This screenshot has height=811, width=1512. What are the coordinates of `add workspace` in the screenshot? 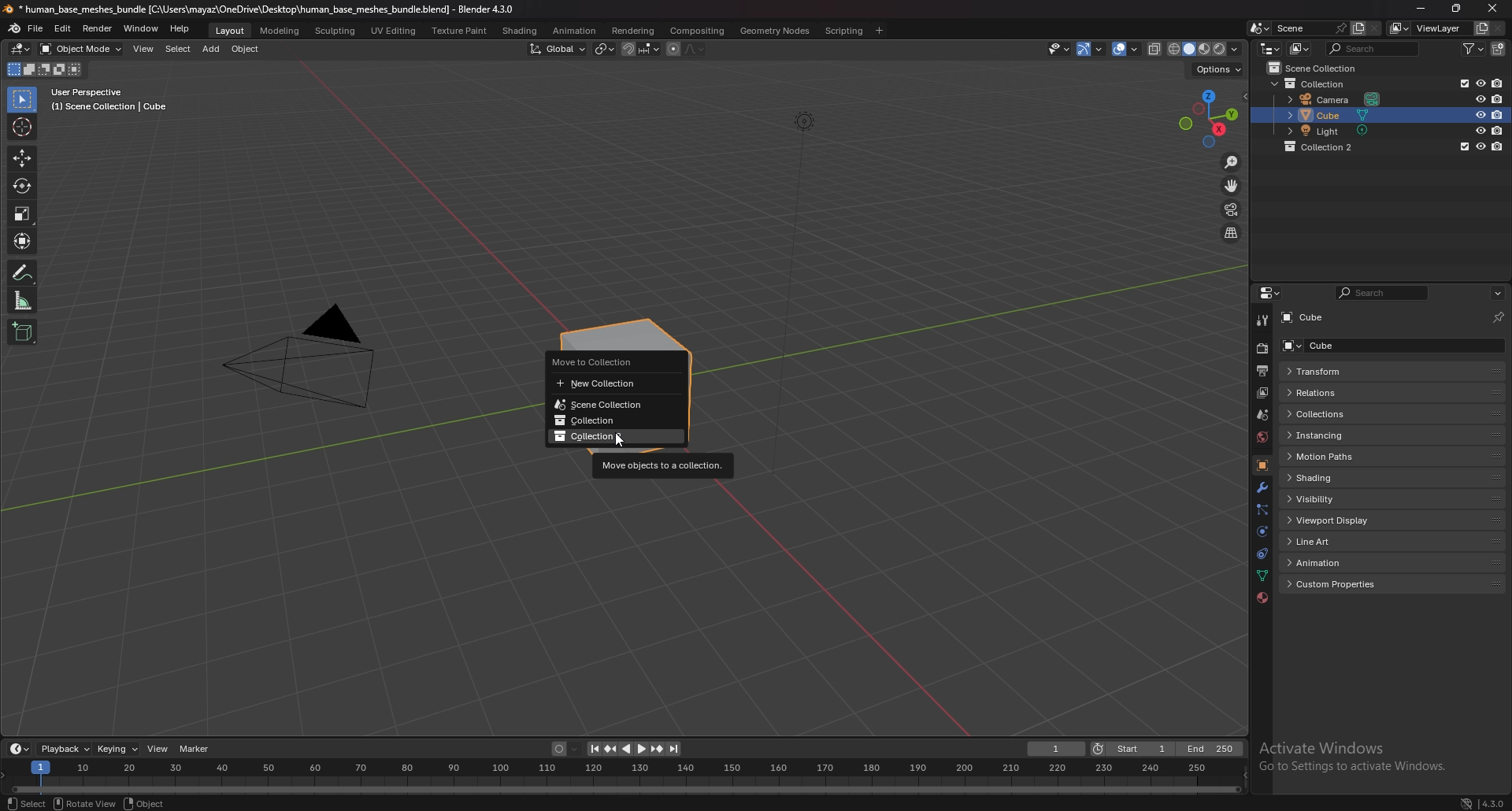 It's located at (877, 31).